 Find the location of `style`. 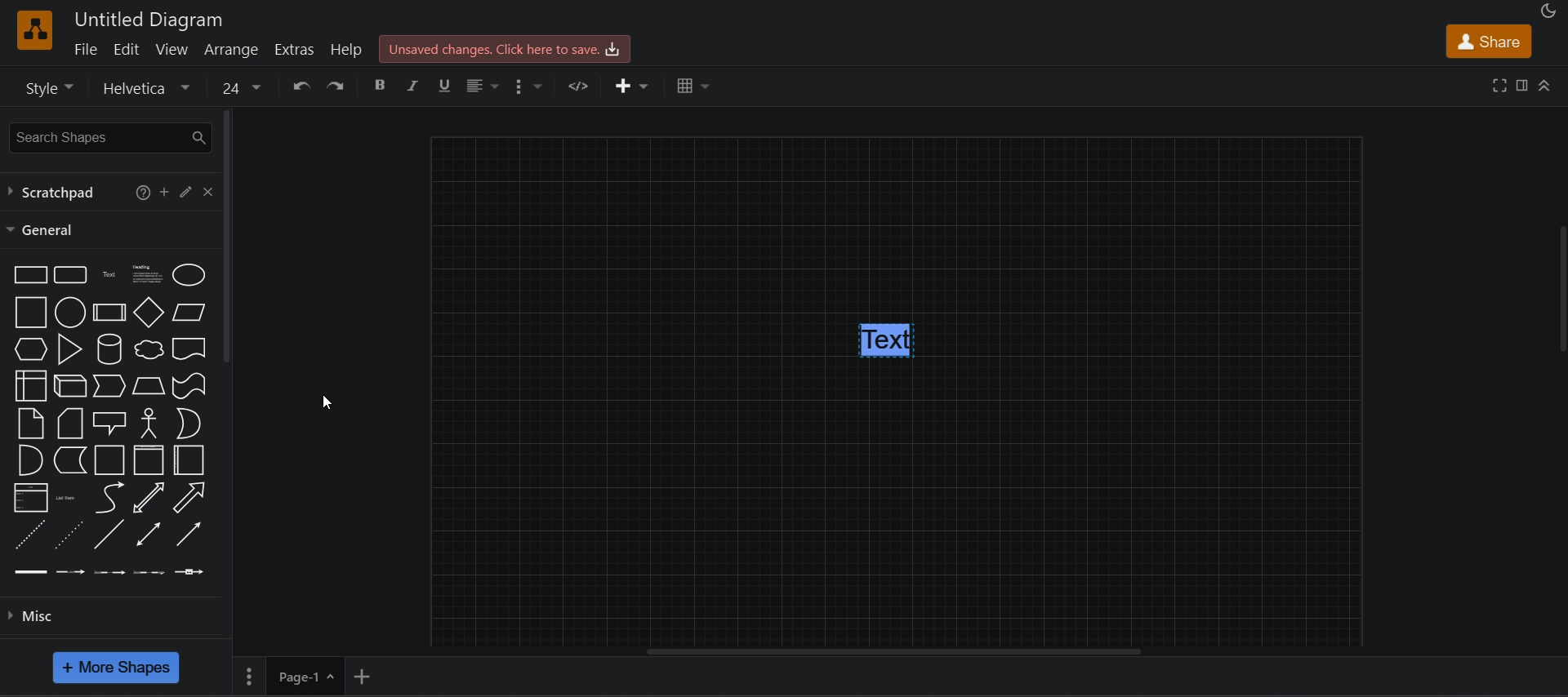

style is located at coordinates (47, 87).